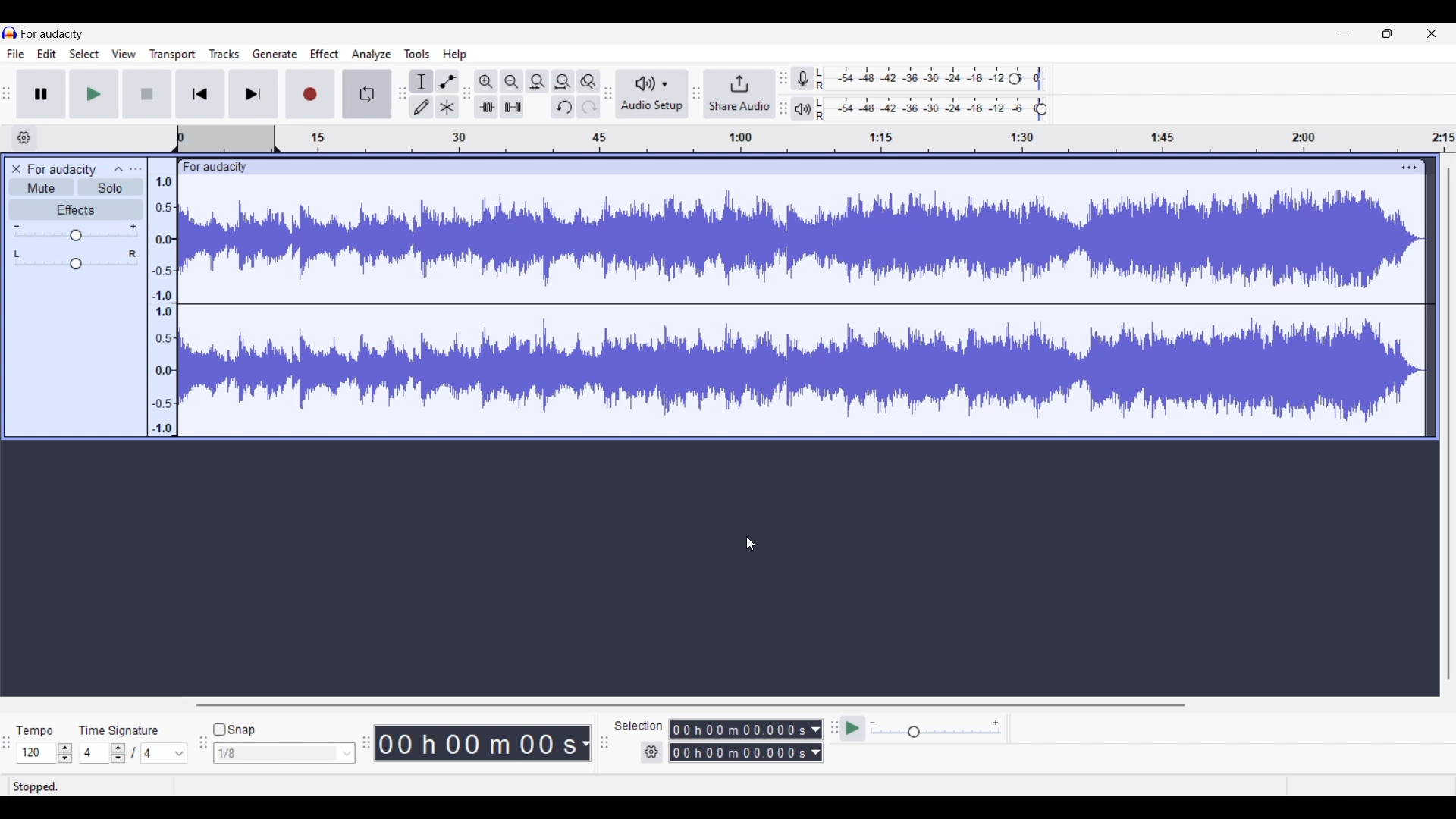 This screenshot has width=1456, height=819. Describe the element at coordinates (1387, 33) in the screenshot. I see `Show interface in a smaller tab` at that location.